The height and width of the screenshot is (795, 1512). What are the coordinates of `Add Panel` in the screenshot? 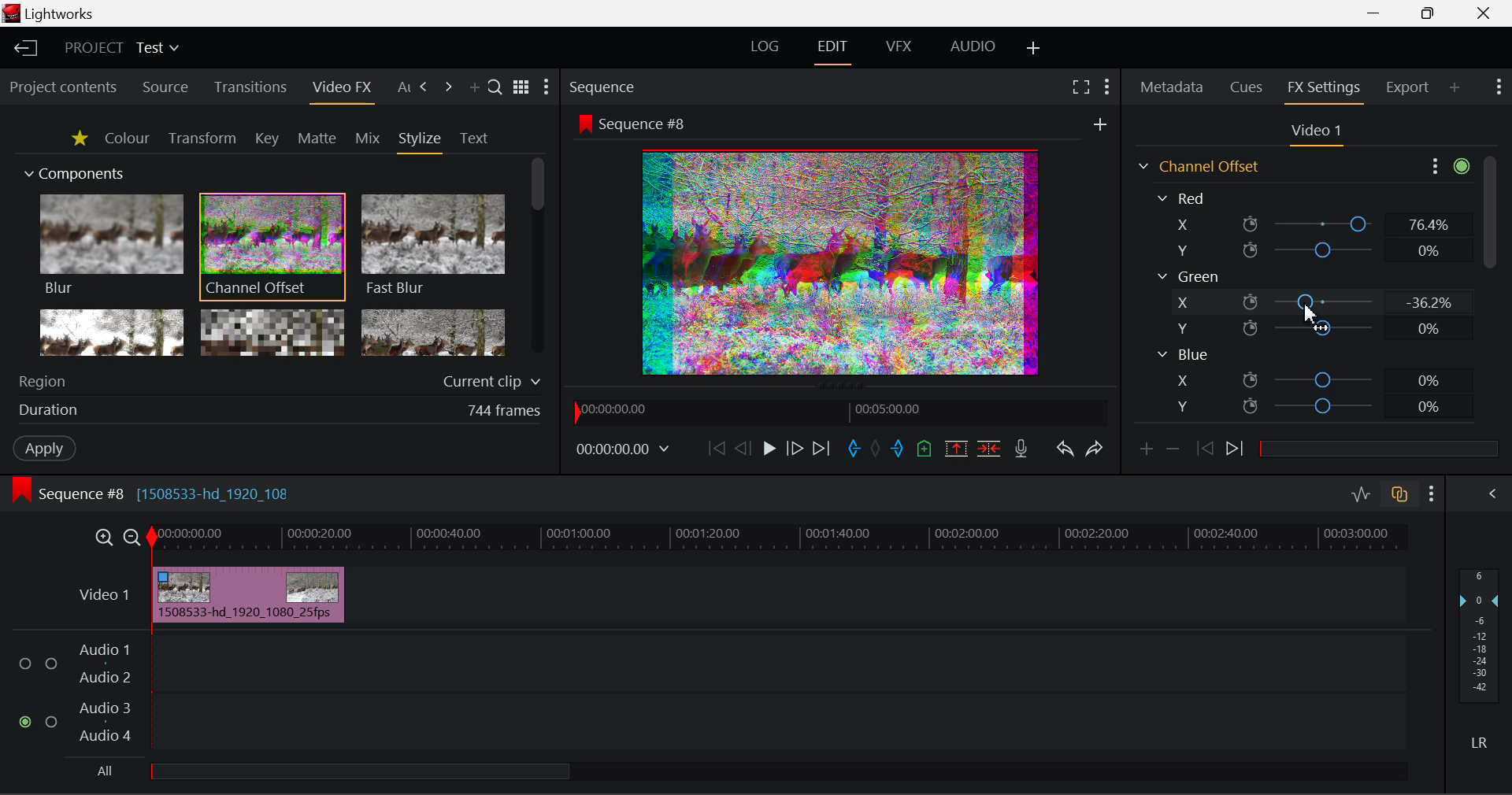 It's located at (474, 89).